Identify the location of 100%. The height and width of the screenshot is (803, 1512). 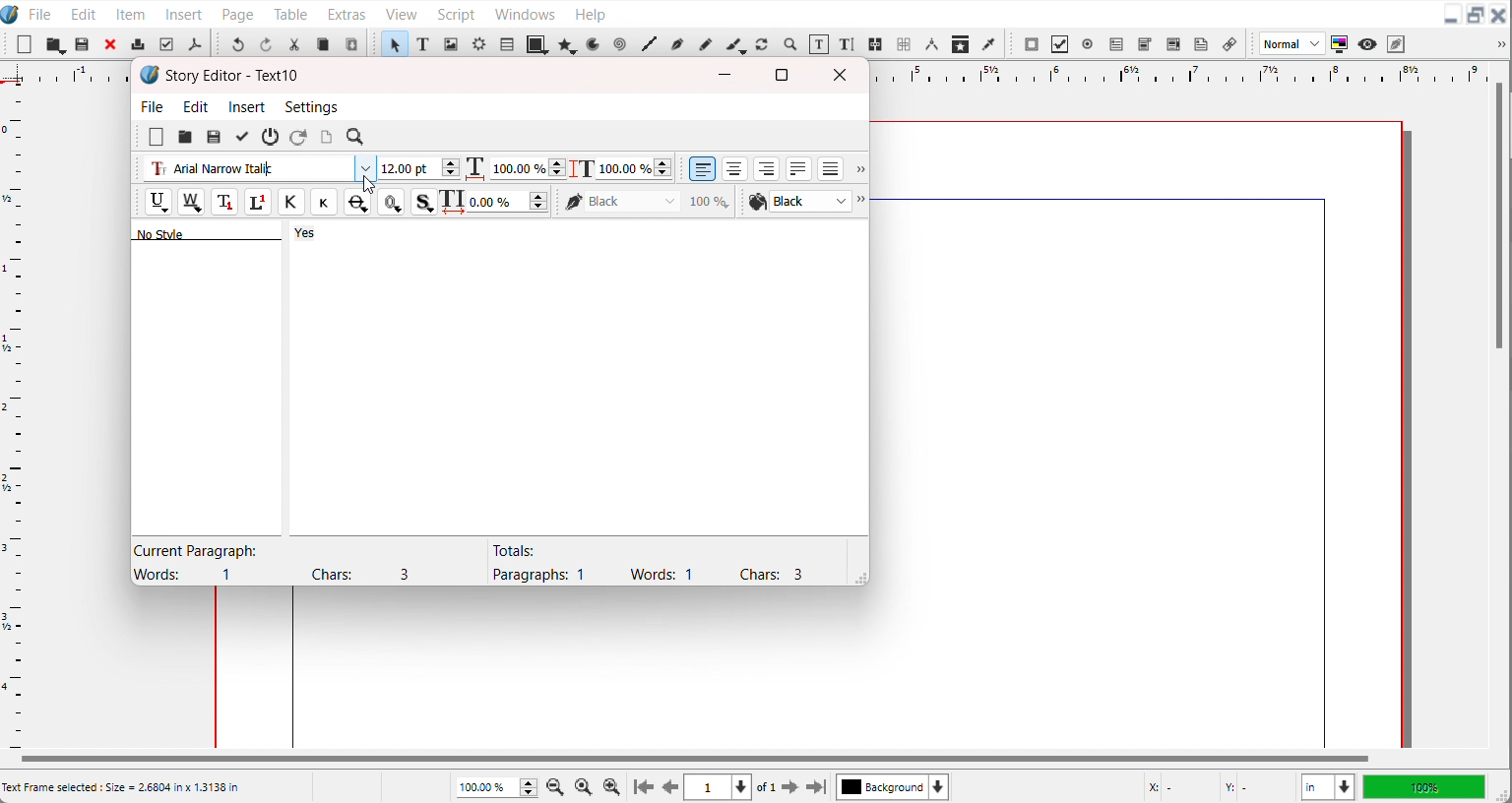
(1423, 786).